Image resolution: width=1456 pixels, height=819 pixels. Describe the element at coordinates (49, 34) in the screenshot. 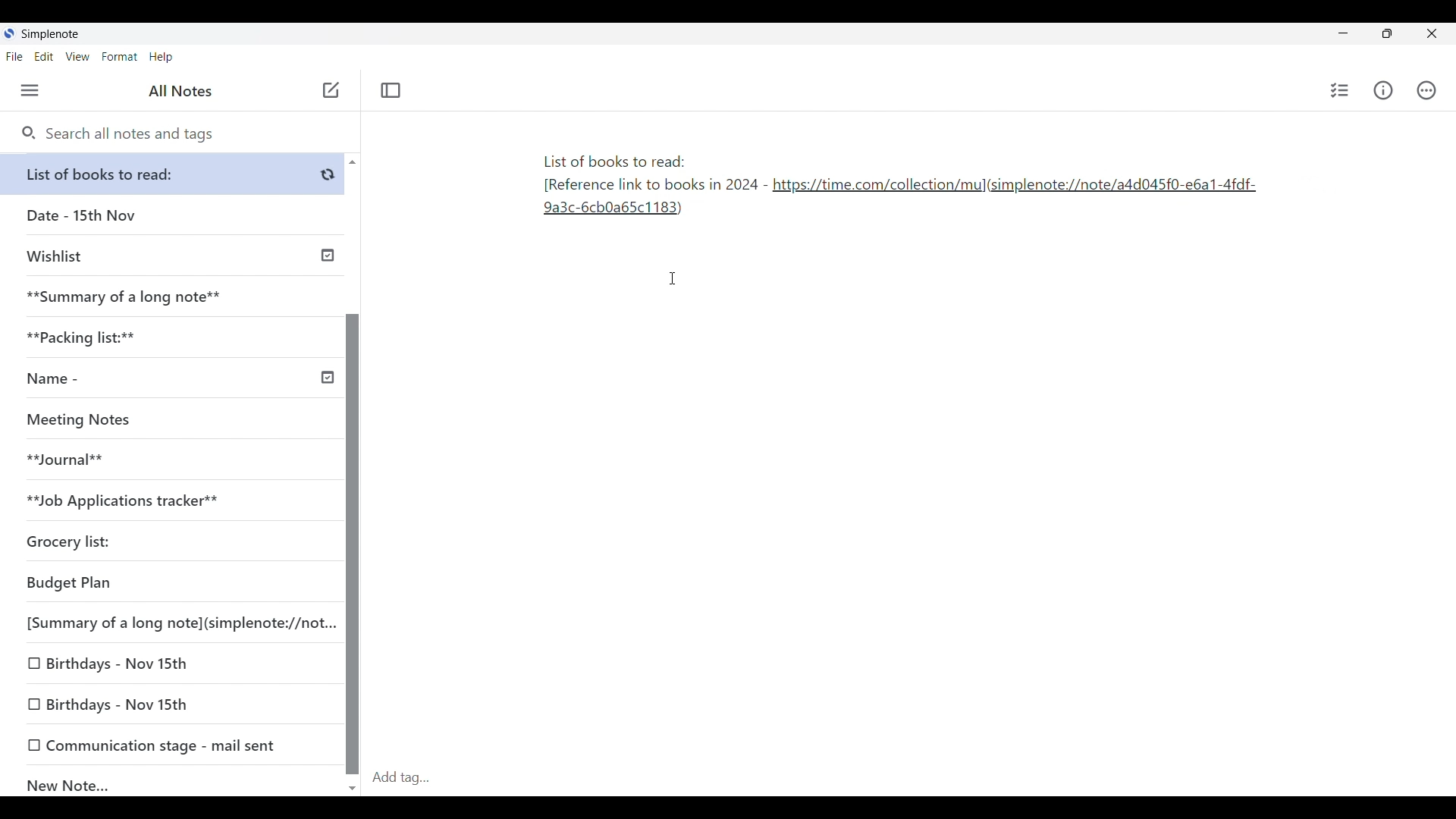

I see `Simplenote` at that location.